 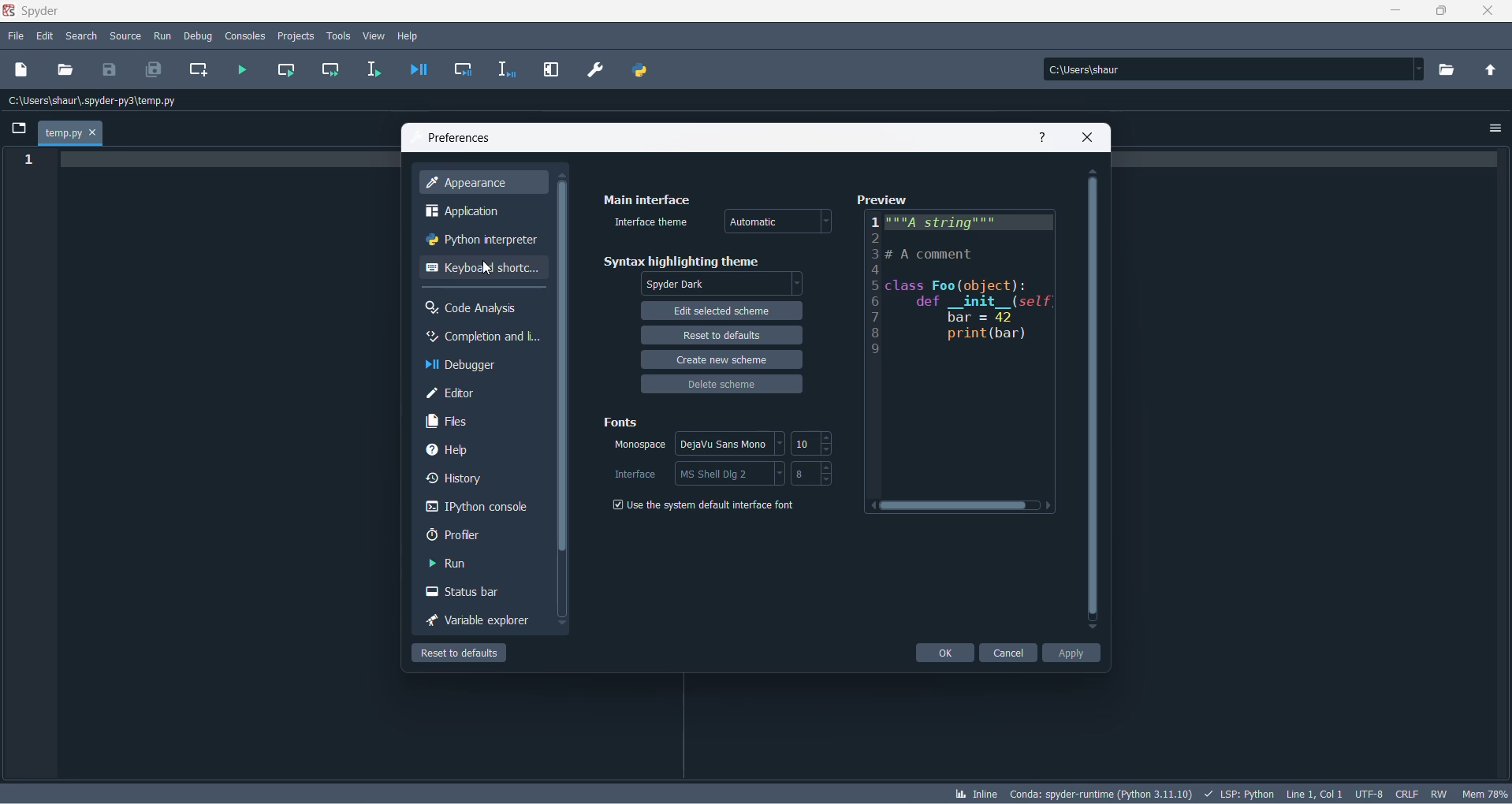 I want to click on scrollbar, so click(x=957, y=507).